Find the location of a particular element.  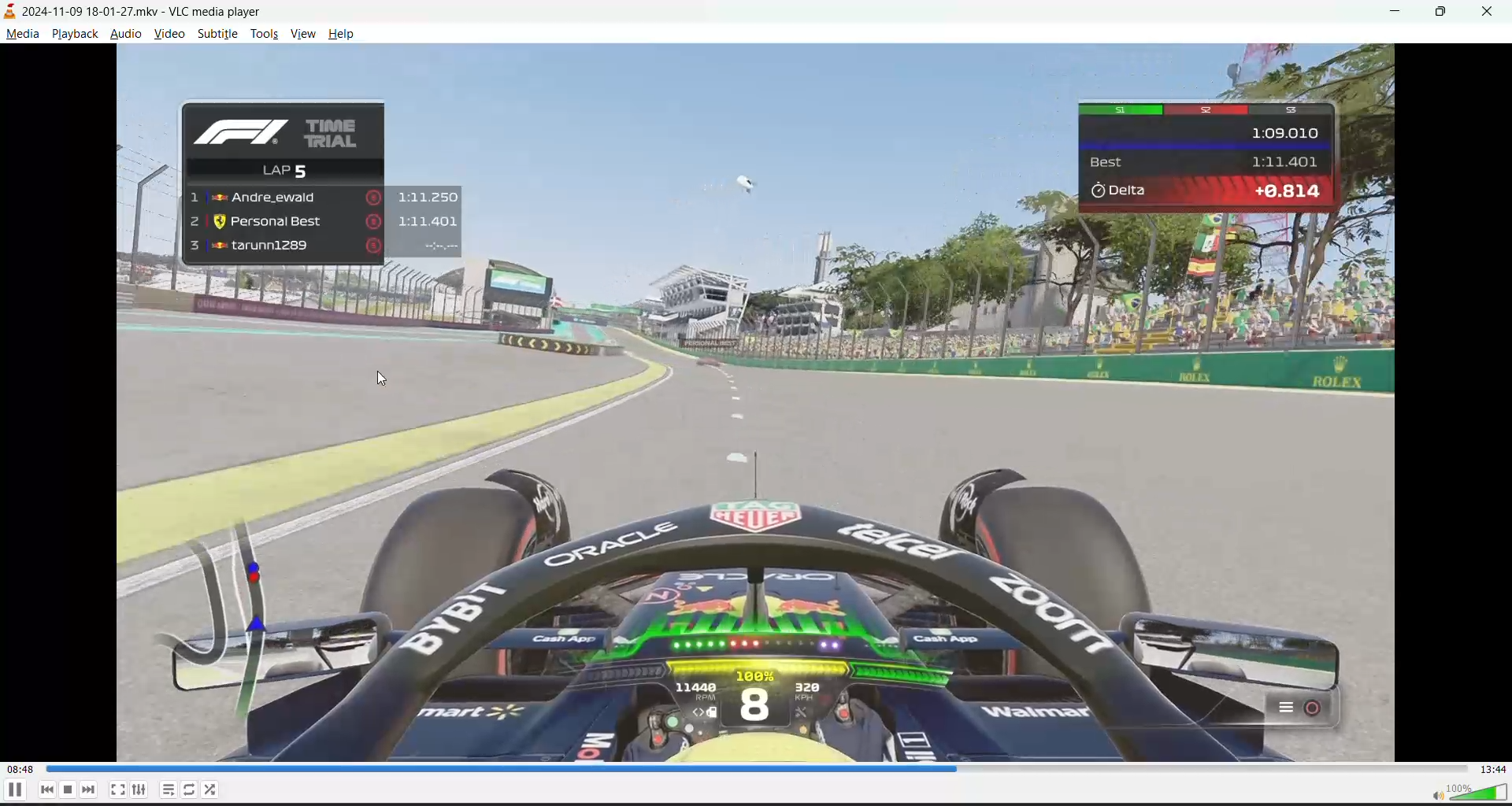

audio is located at coordinates (123, 32).